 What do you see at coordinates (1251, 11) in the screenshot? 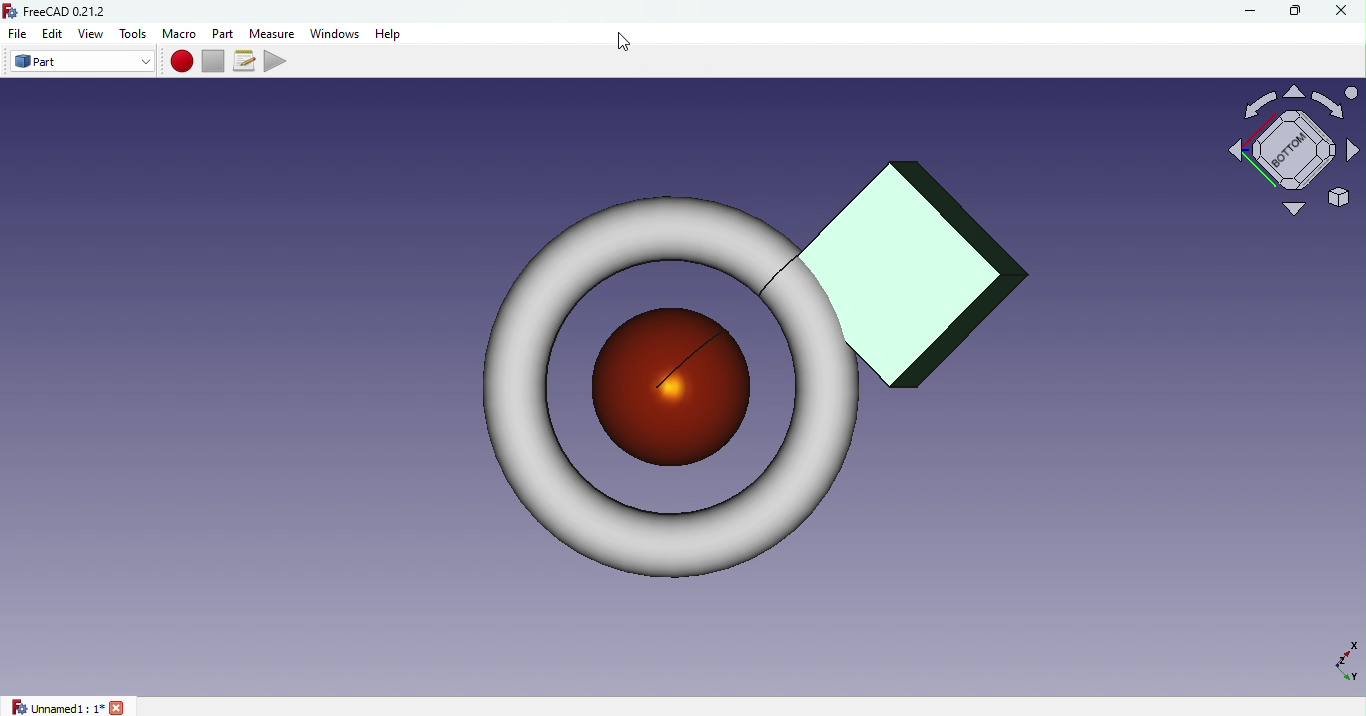
I see `Minimize` at bounding box center [1251, 11].